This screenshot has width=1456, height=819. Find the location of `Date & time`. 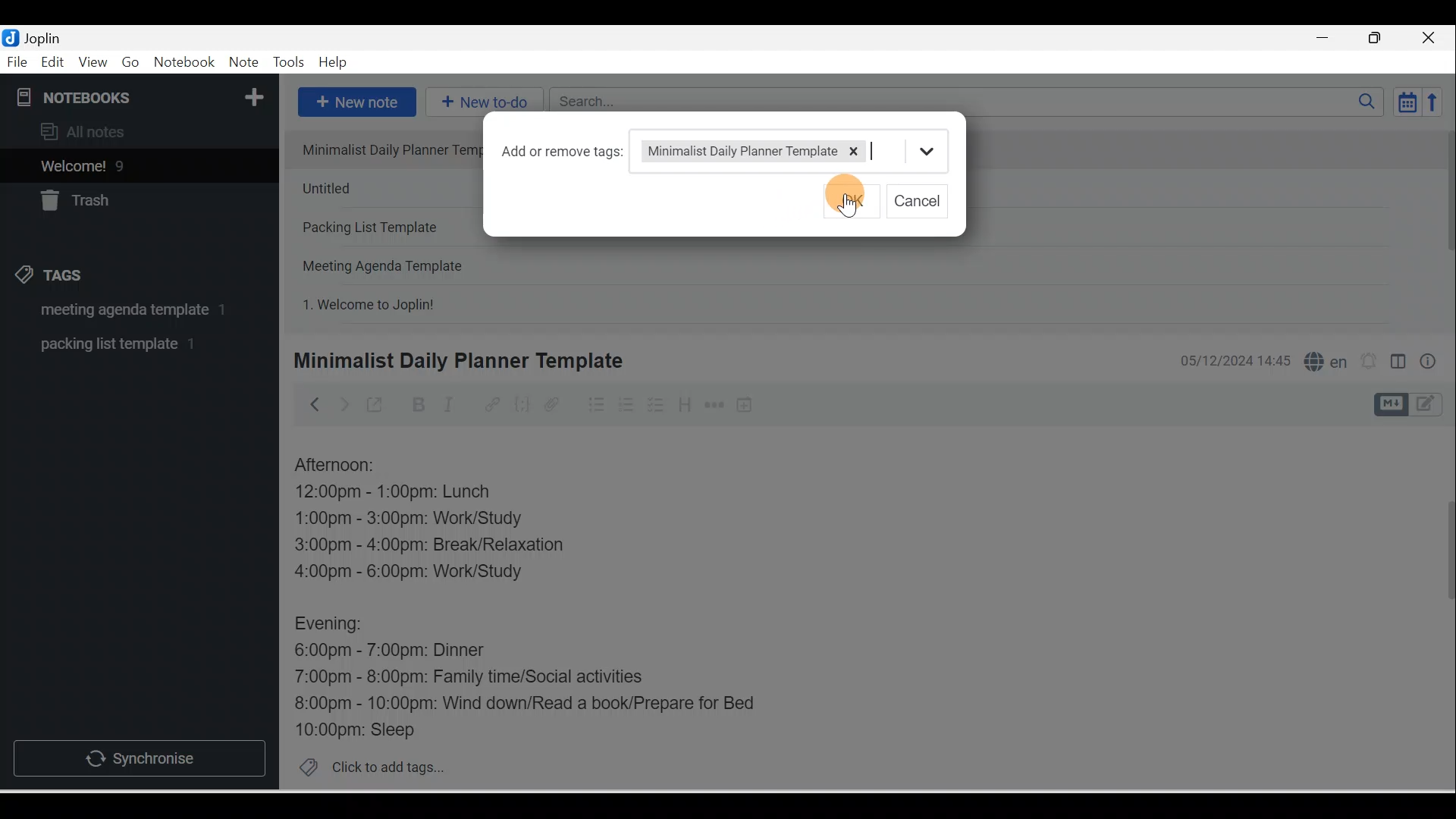

Date & time is located at coordinates (1232, 361).